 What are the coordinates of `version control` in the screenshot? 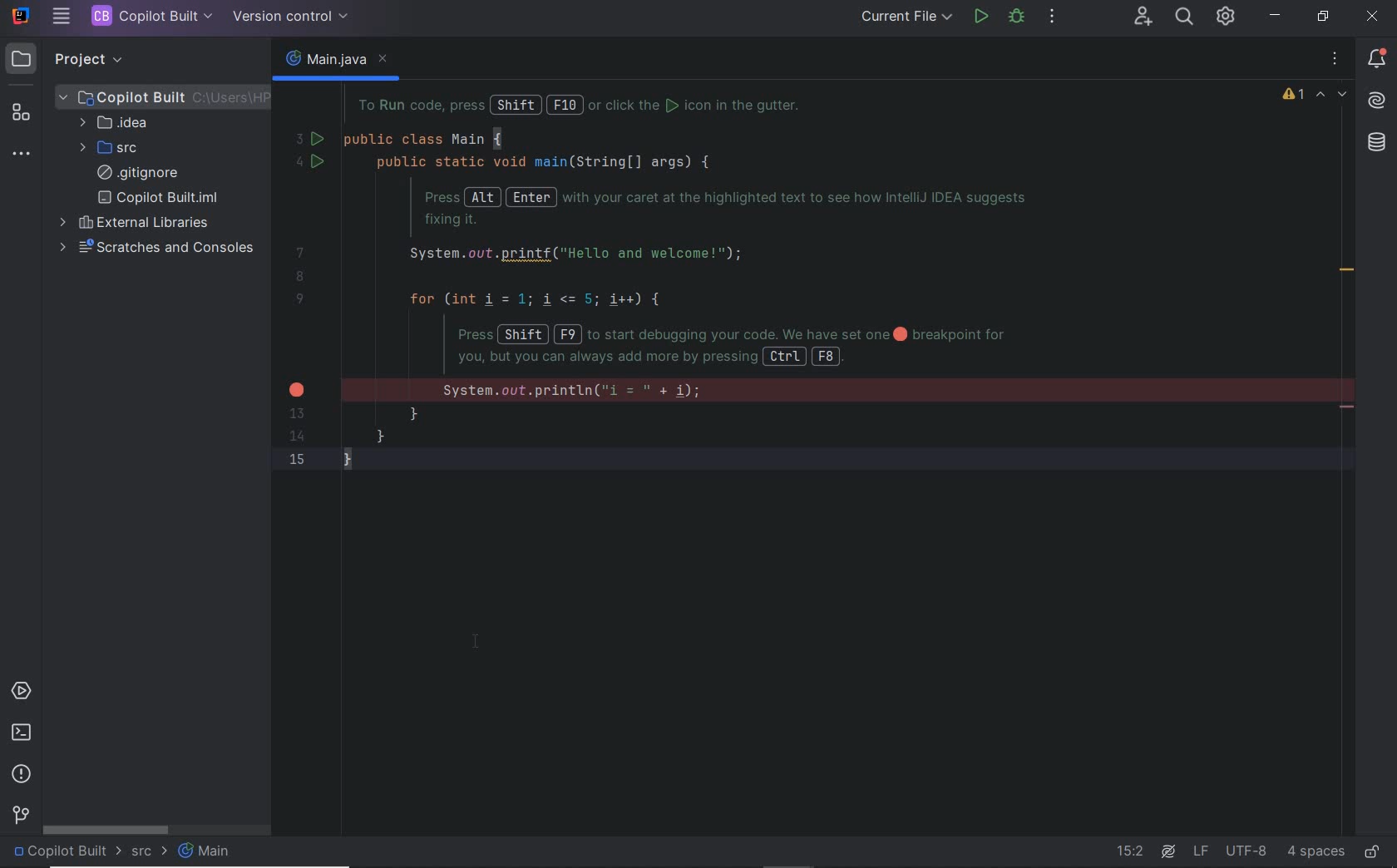 It's located at (18, 816).